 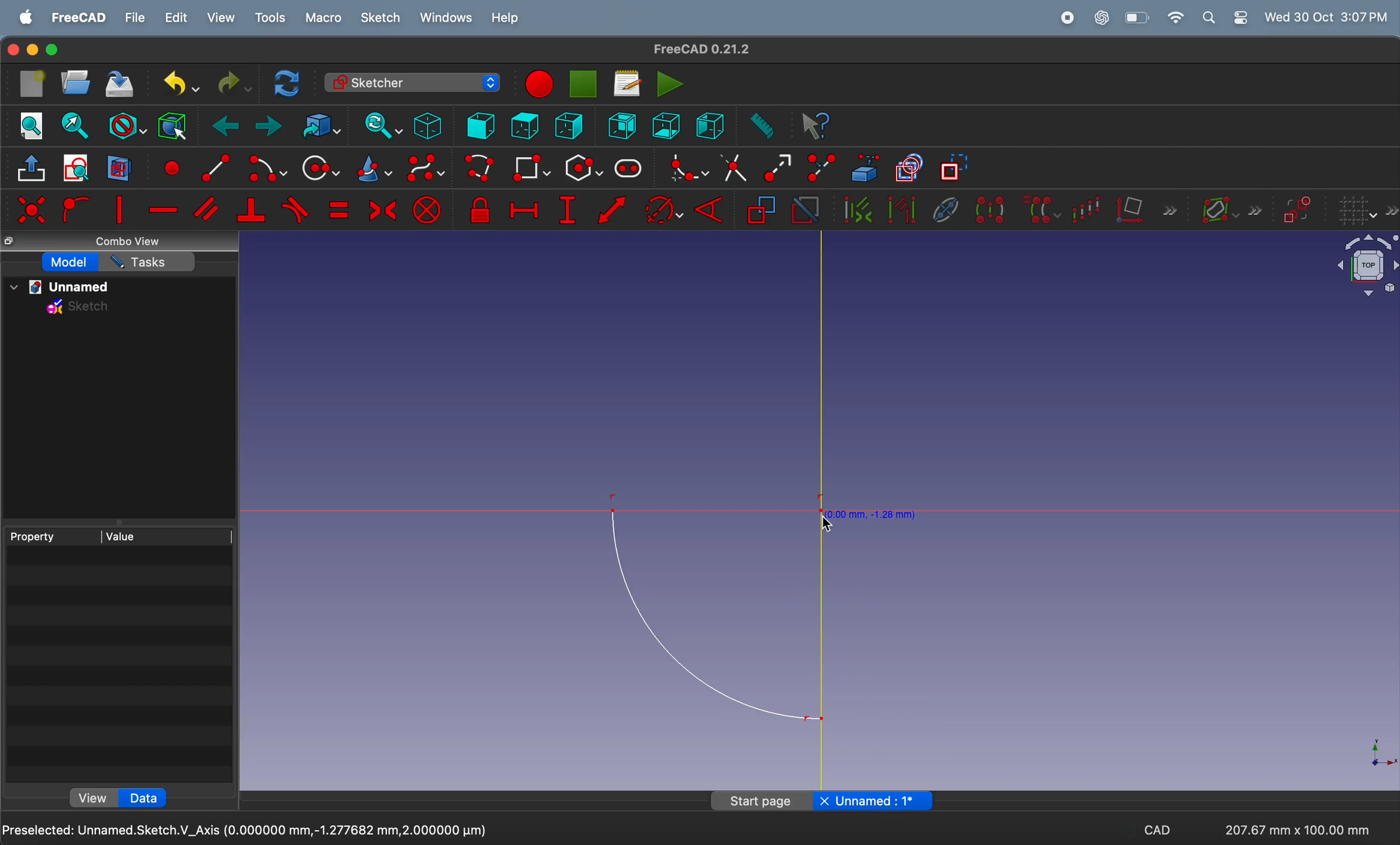 I want to click on marco, so click(x=325, y=19).